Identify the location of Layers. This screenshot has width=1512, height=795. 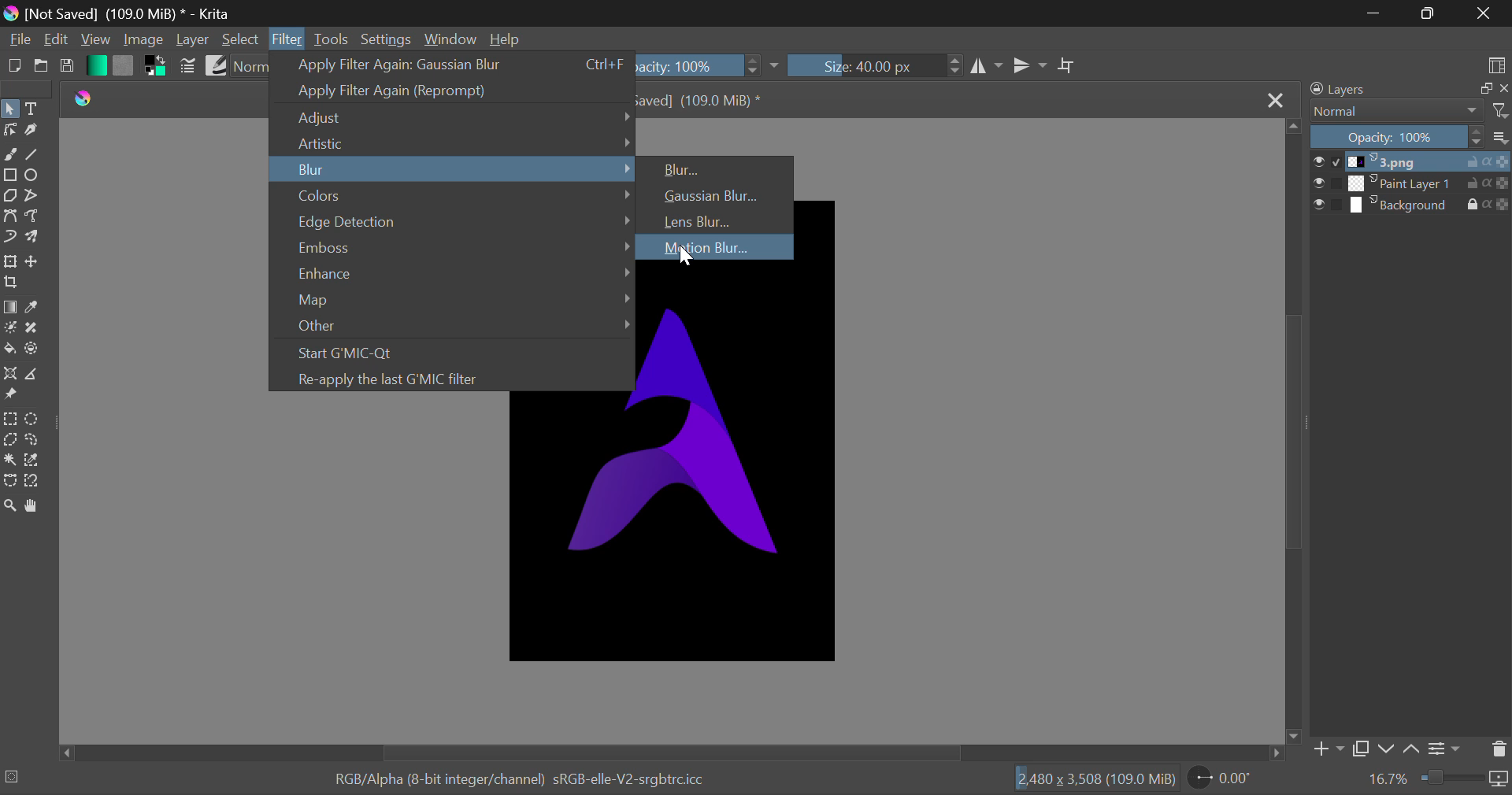
(1405, 89).